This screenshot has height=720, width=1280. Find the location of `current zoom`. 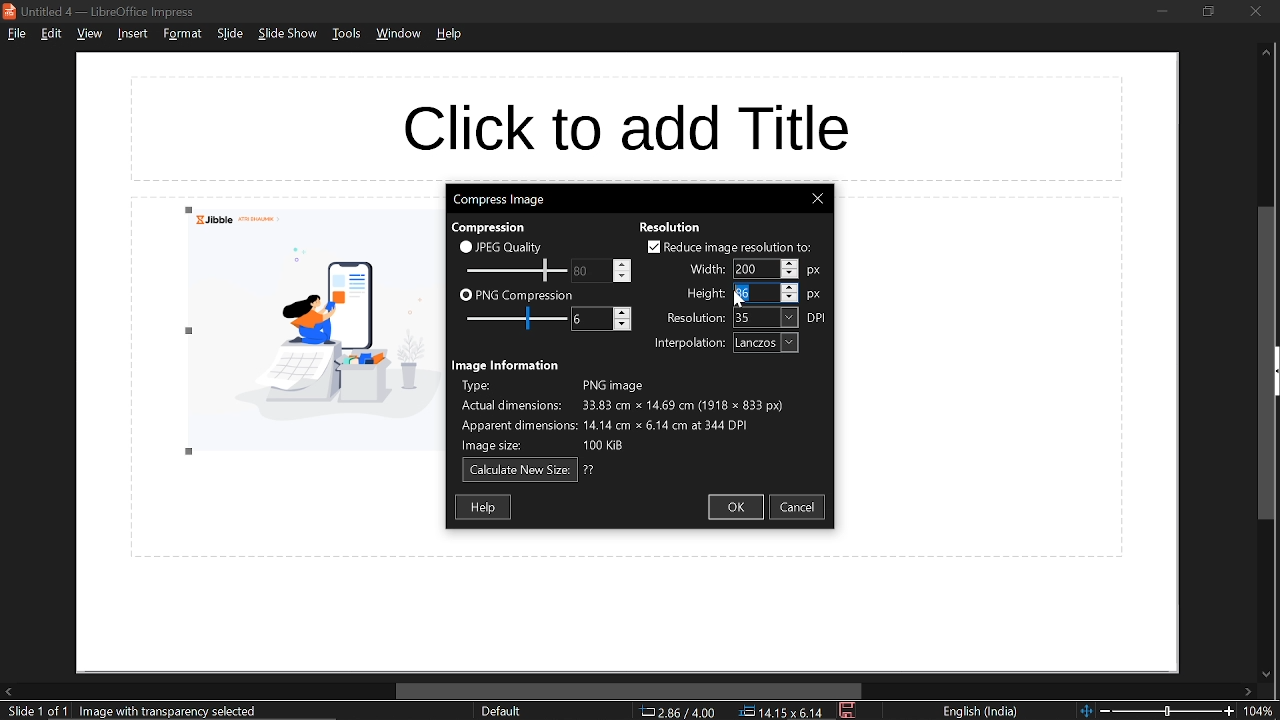

current zoom is located at coordinates (1262, 712).